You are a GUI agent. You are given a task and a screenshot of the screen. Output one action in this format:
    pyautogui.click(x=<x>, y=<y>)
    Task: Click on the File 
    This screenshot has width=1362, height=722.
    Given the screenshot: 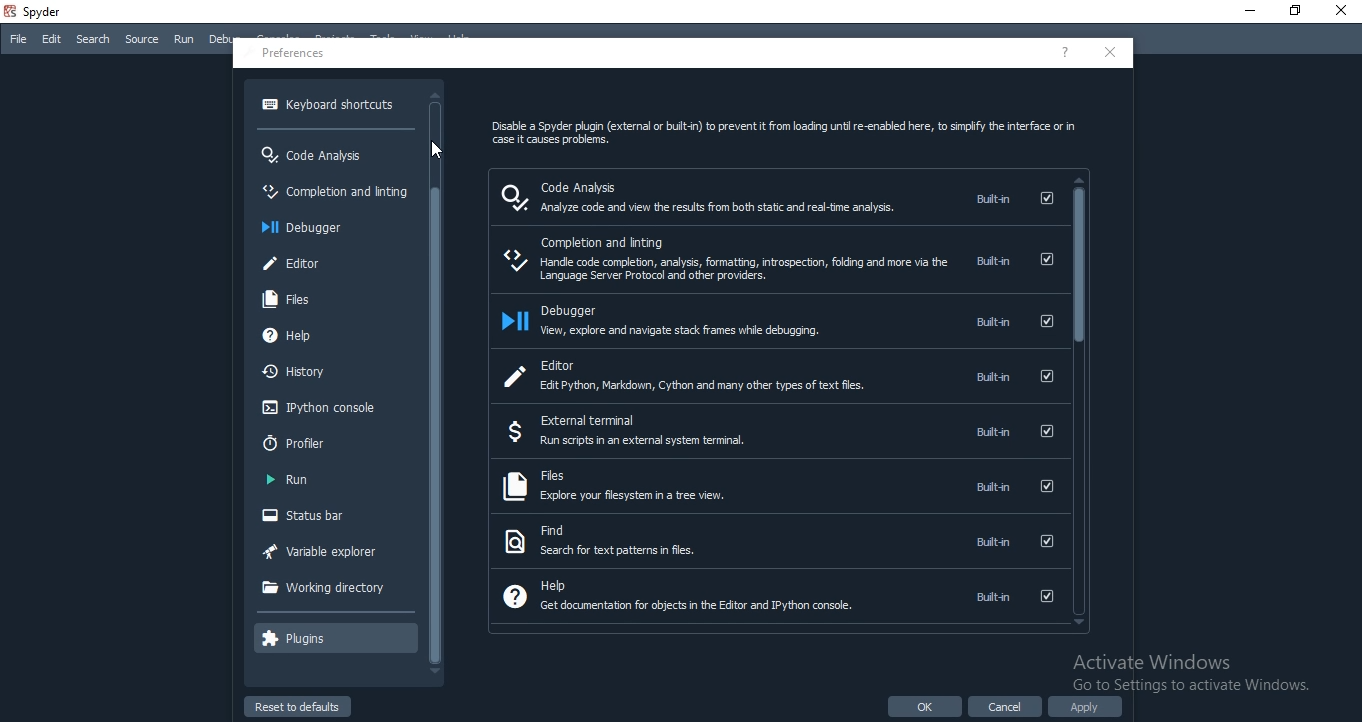 What is the action you would take?
    pyautogui.click(x=18, y=38)
    